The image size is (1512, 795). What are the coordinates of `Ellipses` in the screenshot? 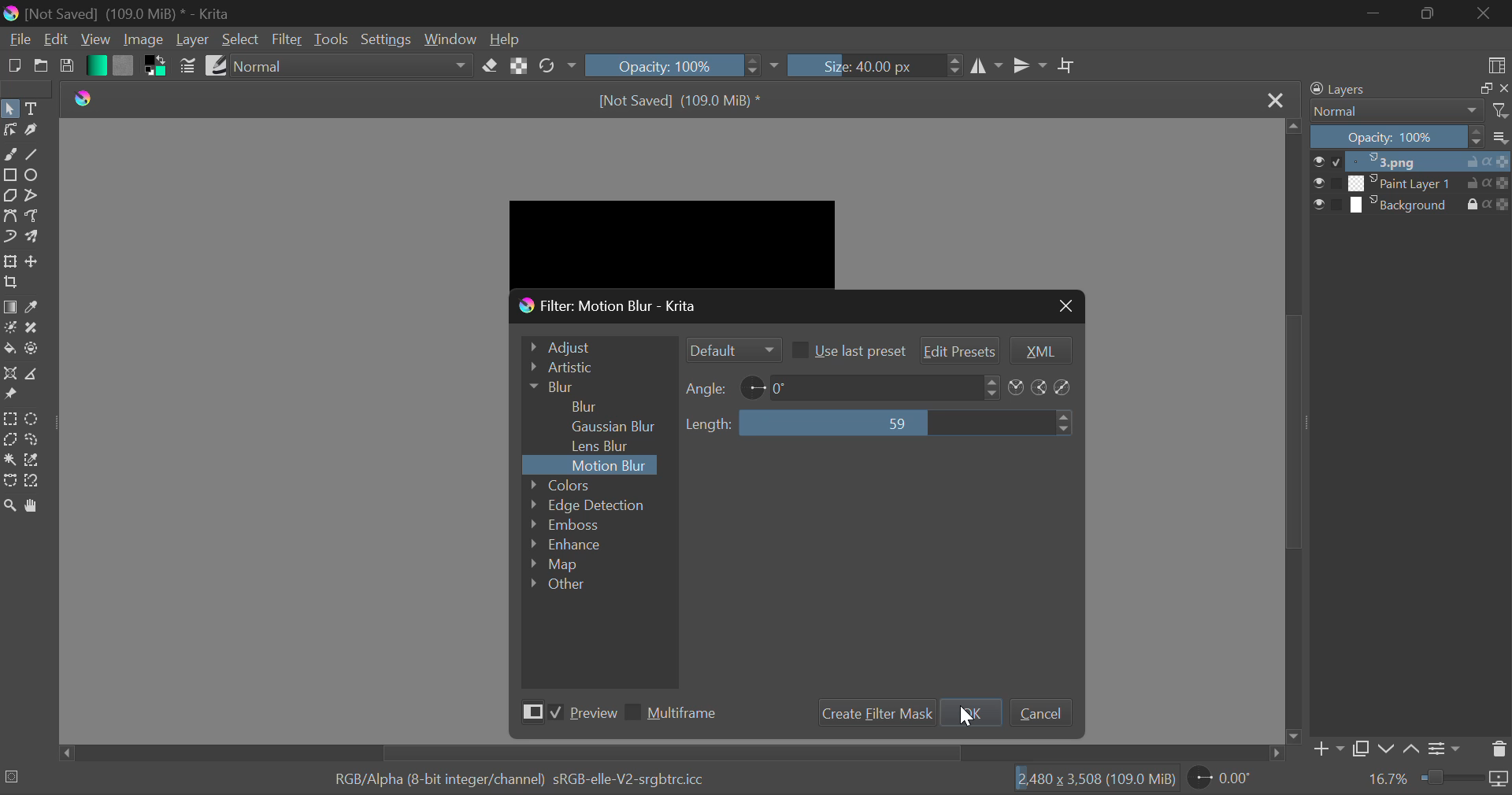 It's located at (34, 176).